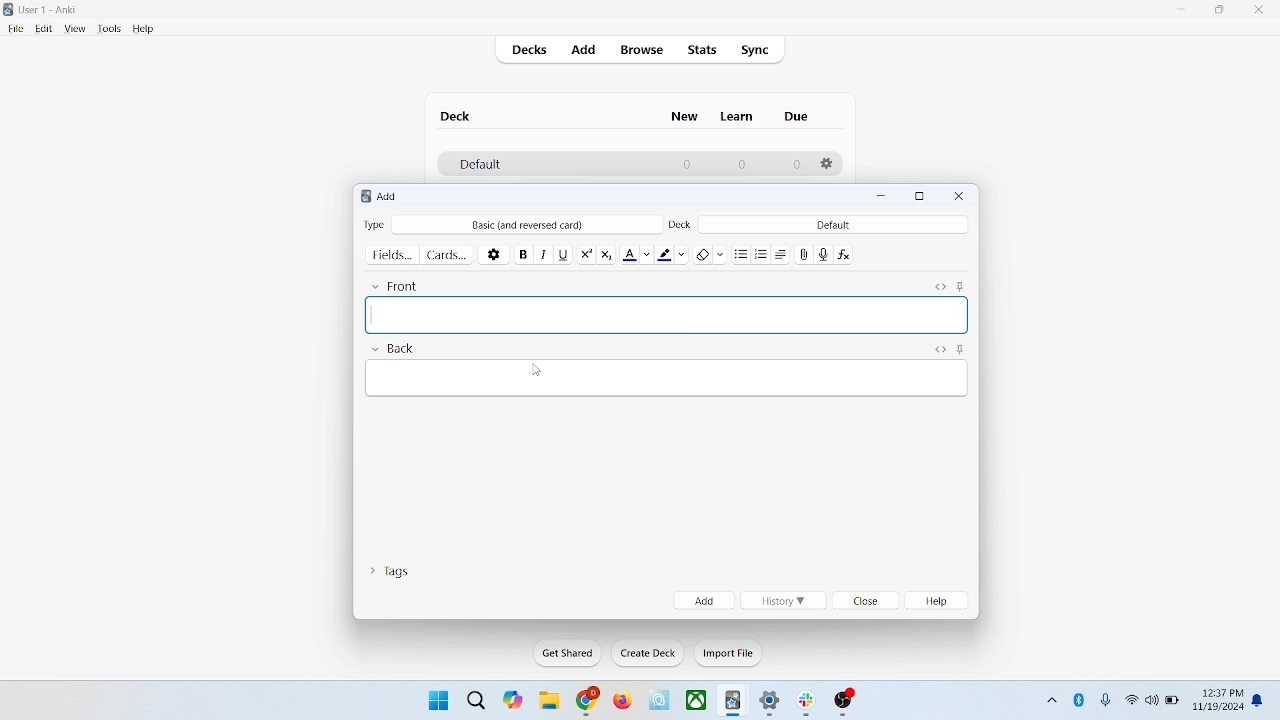 The height and width of the screenshot is (720, 1280). I want to click on icon, so click(661, 701).